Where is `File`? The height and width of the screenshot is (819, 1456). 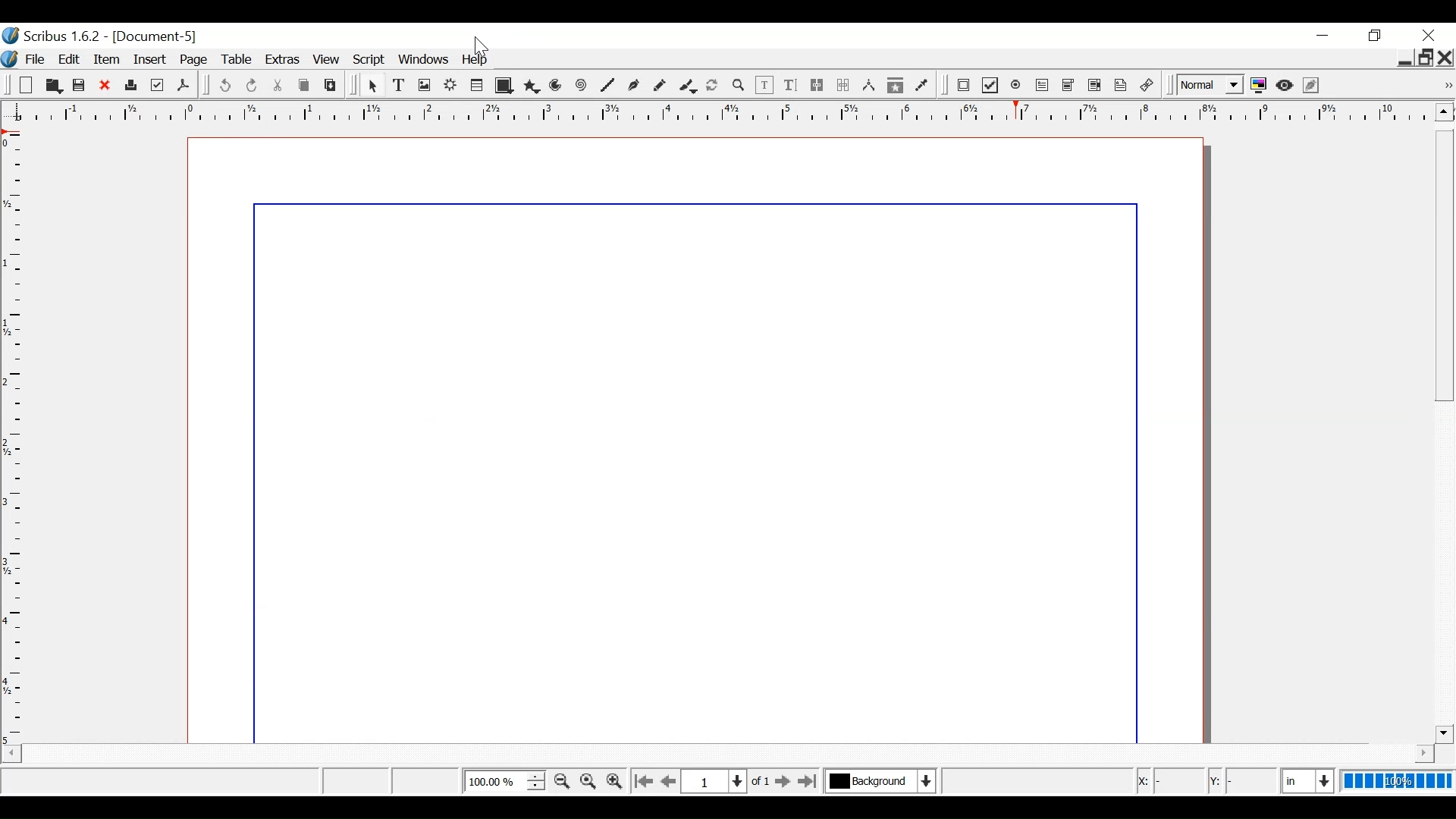 File is located at coordinates (34, 60).